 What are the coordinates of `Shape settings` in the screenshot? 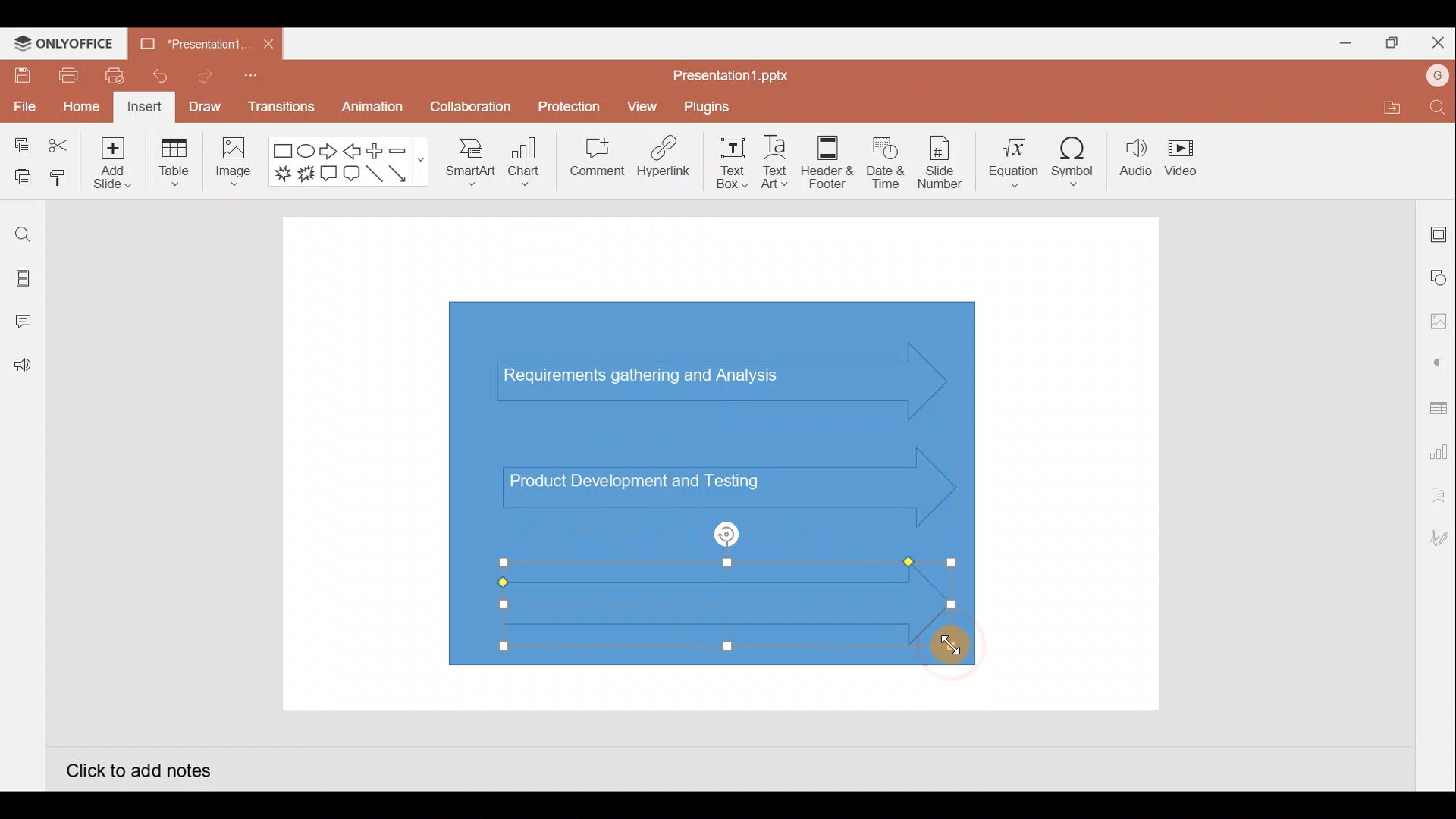 It's located at (1439, 277).